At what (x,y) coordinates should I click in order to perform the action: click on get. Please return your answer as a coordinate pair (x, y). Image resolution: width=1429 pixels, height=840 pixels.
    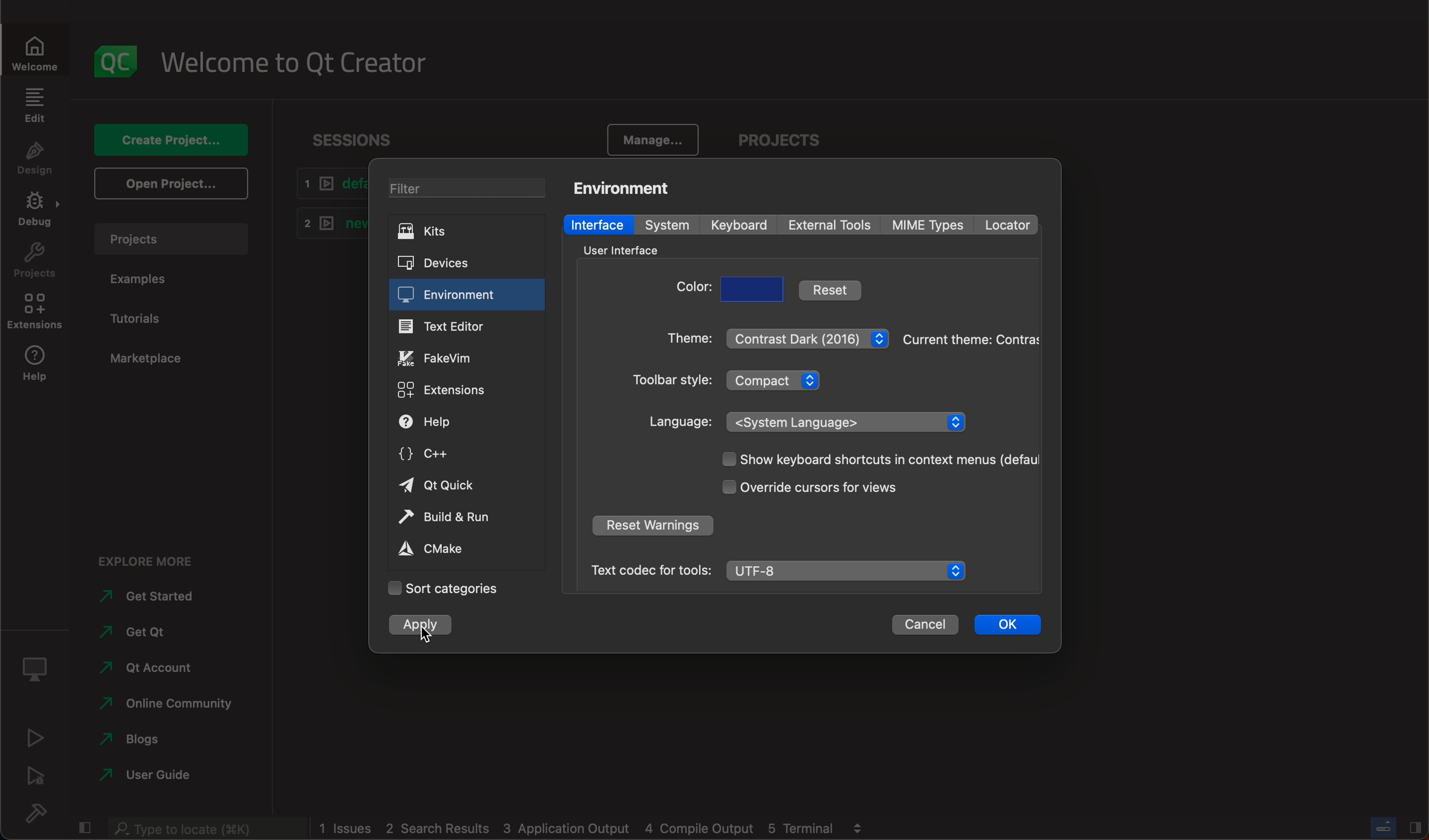
    Looking at the image, I should click on (143, 629).